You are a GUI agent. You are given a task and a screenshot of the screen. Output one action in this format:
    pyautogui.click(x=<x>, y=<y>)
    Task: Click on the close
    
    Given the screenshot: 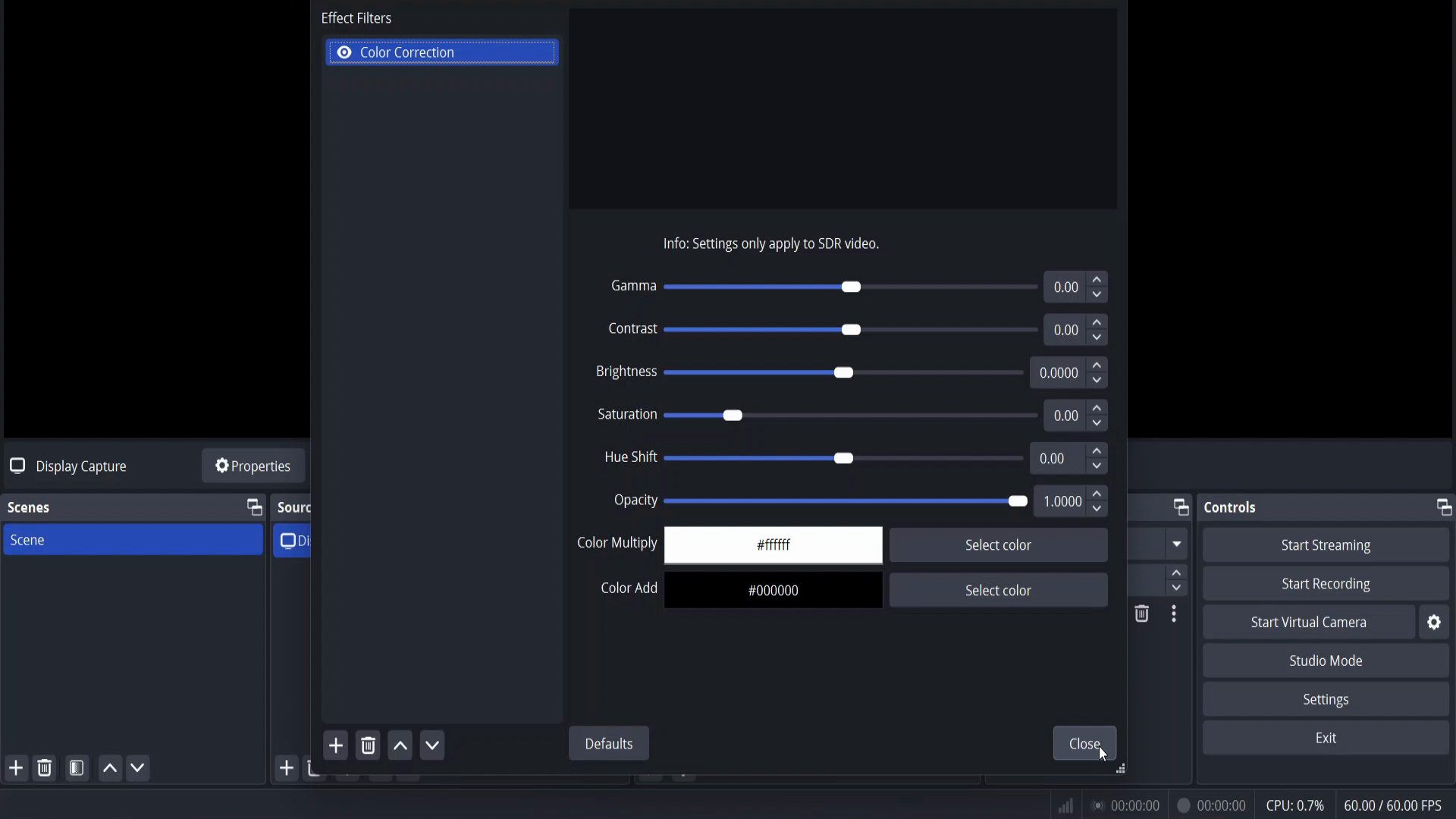 What is the action you would take?
    pyautogui.click(x=1088, y=743)
    